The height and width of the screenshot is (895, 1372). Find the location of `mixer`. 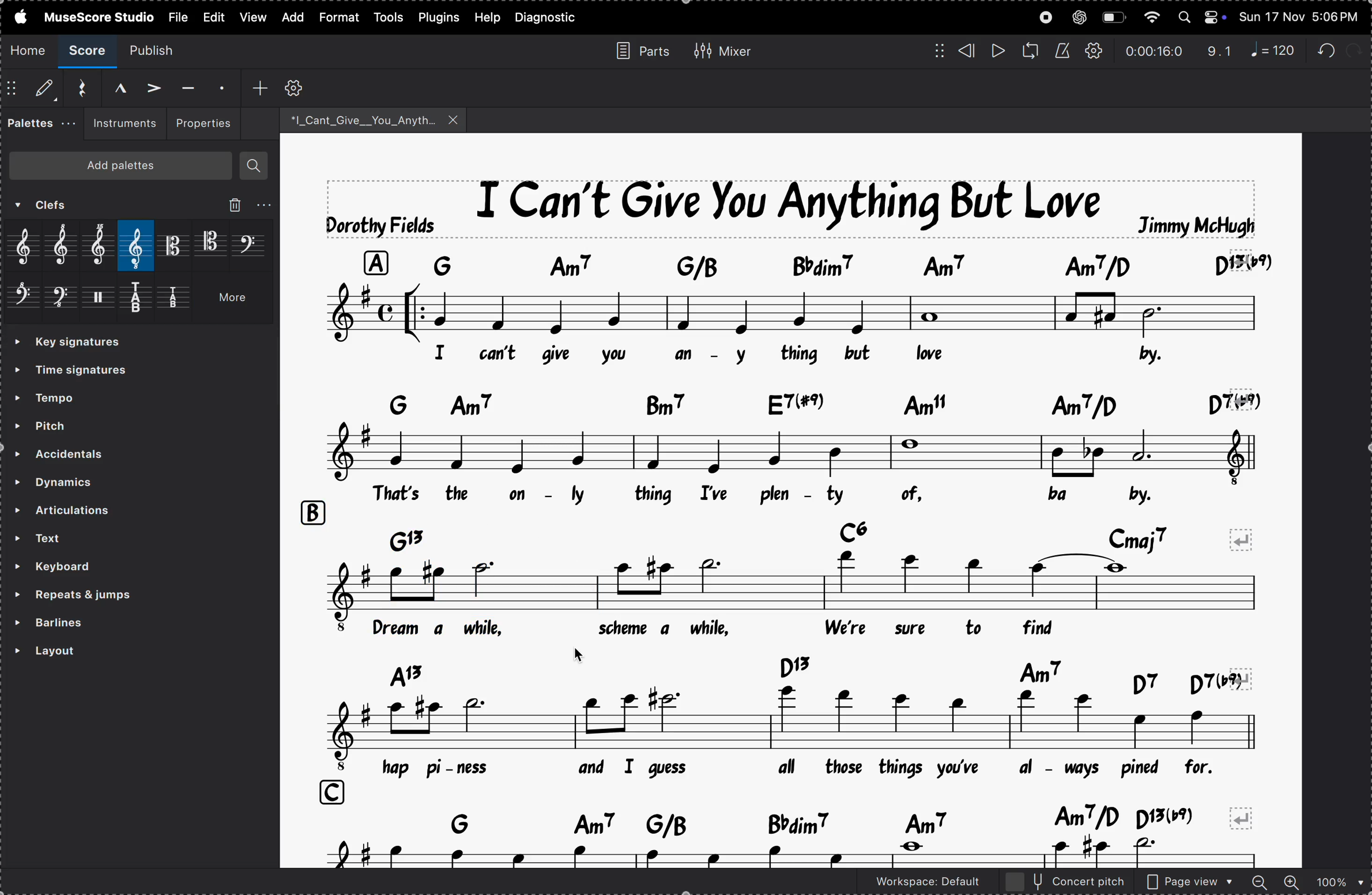

mixer is located at coordinates (722, 49).